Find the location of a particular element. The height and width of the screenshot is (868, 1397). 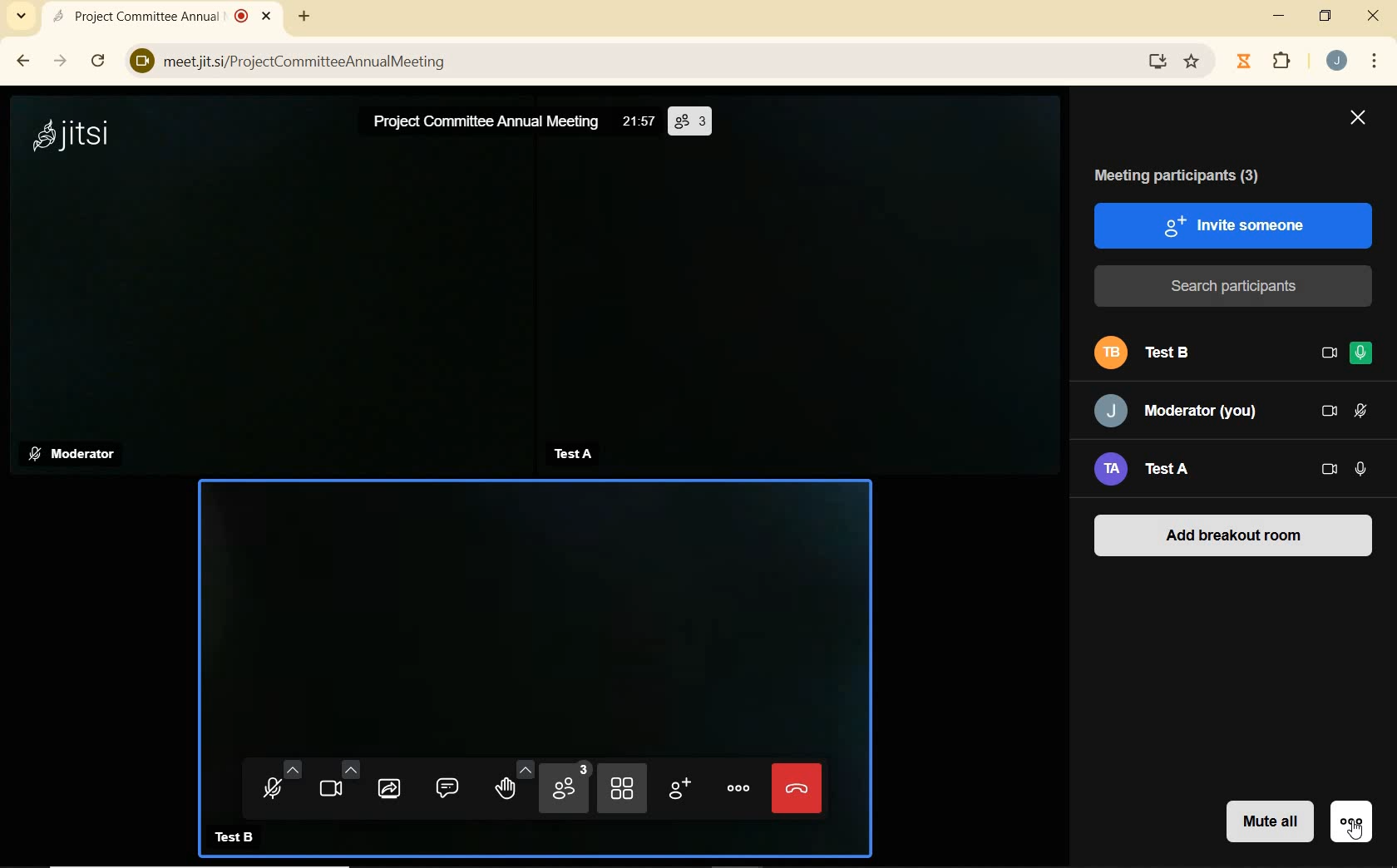

MEETING PARTICIPANTS (3) is located at coordinates (1188, 175).